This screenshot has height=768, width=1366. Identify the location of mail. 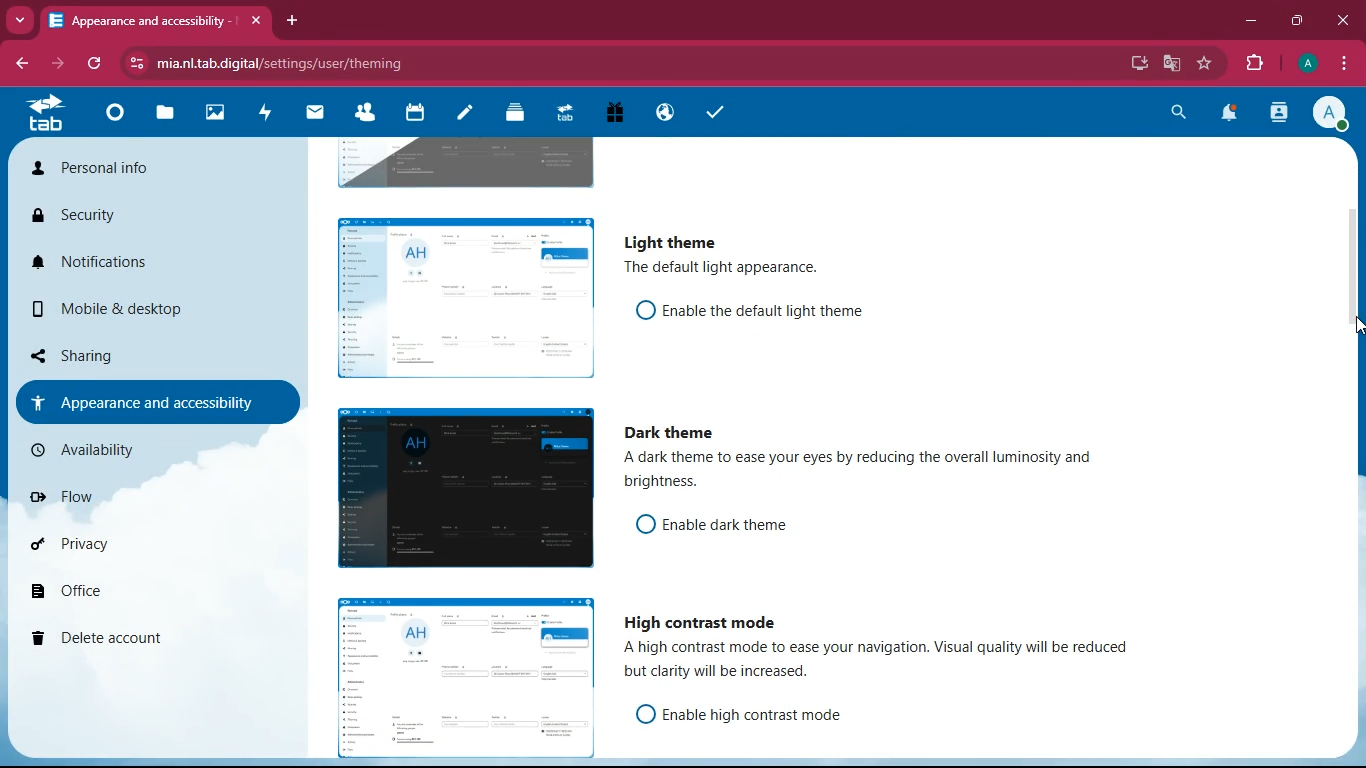
(316, 115).